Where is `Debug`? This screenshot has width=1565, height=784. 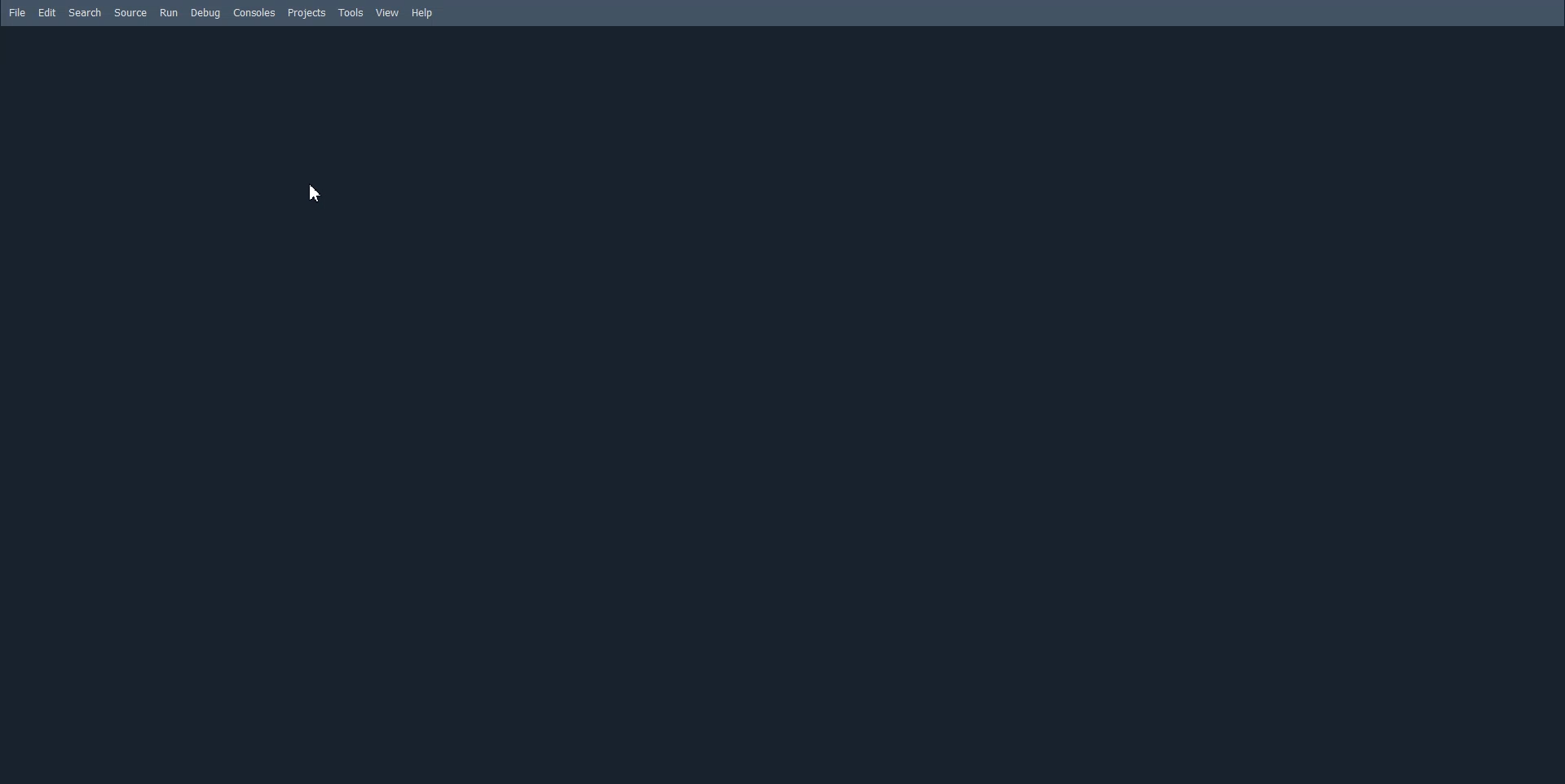 Debug is located at coordinates (204, 13).